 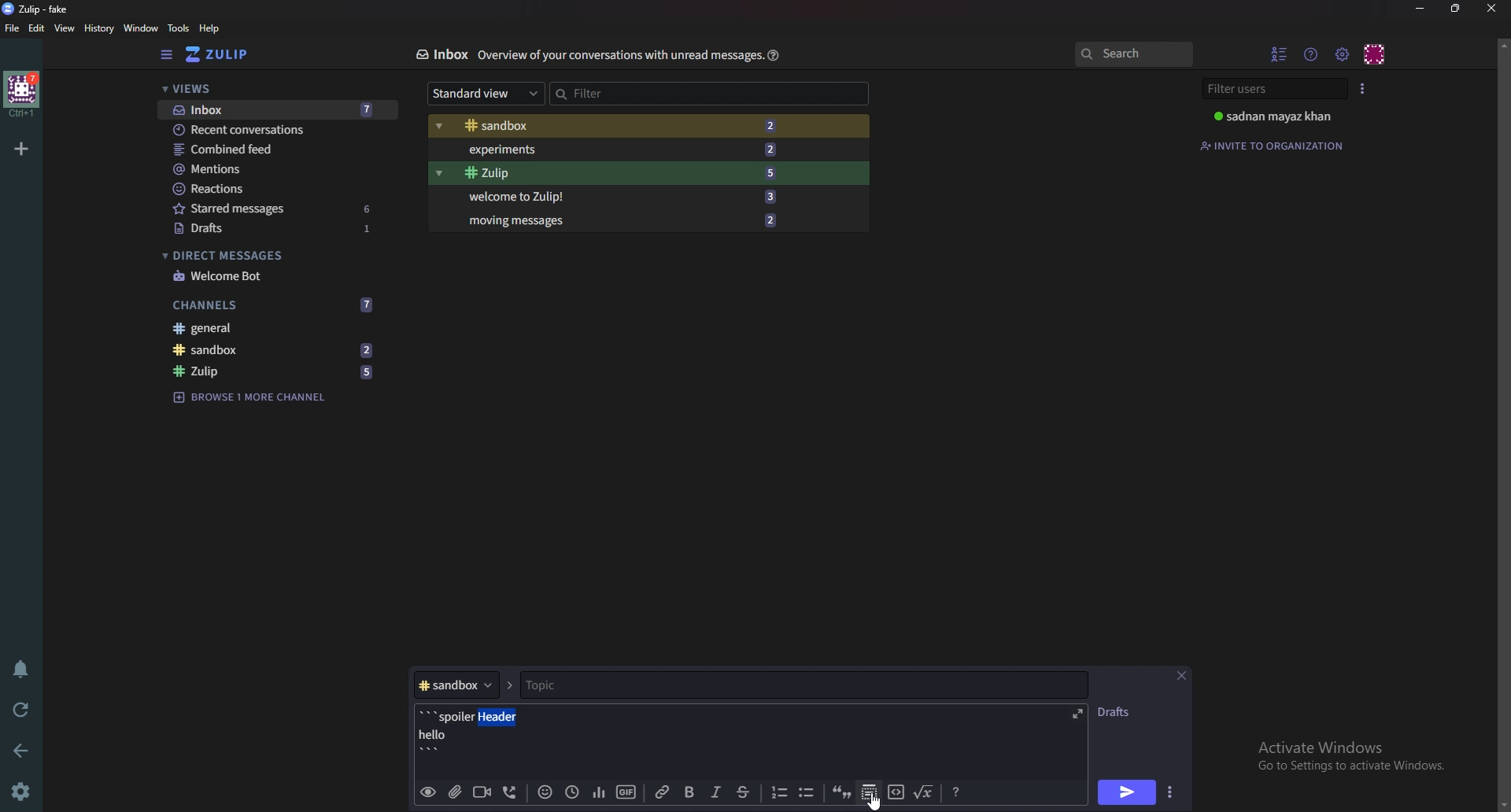 What do you see at coordinates (809, 792) in the screenshot?
I see `bullet list` at bounding box center [809, 792].